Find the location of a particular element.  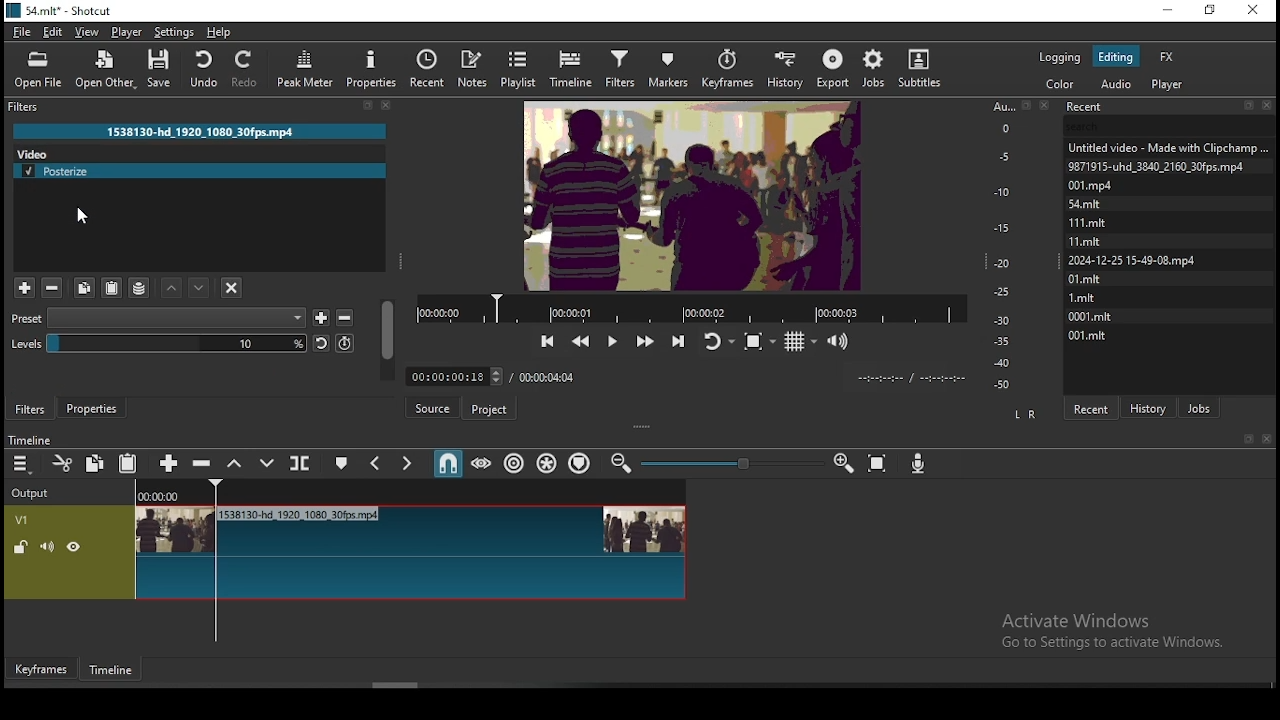

open other is located at coordinates (107, 72).